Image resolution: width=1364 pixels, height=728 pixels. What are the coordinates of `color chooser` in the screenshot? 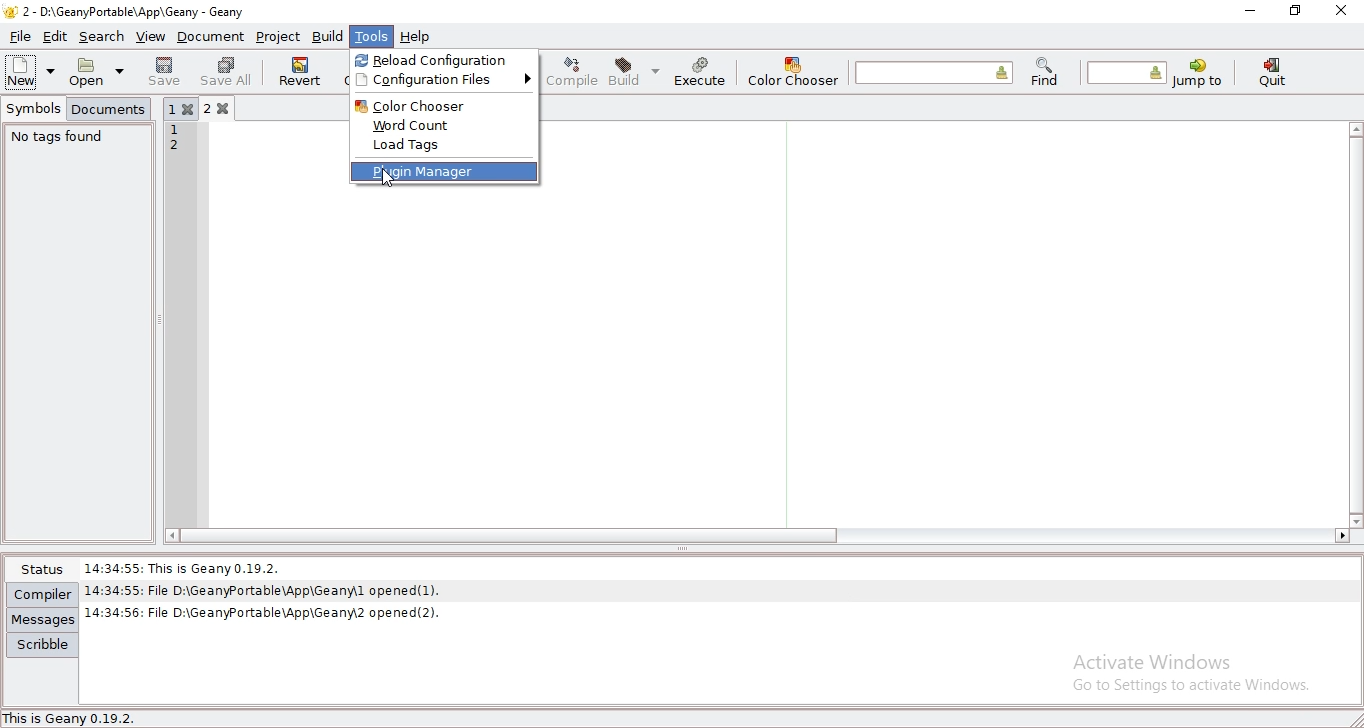 It's located at (408, 107).